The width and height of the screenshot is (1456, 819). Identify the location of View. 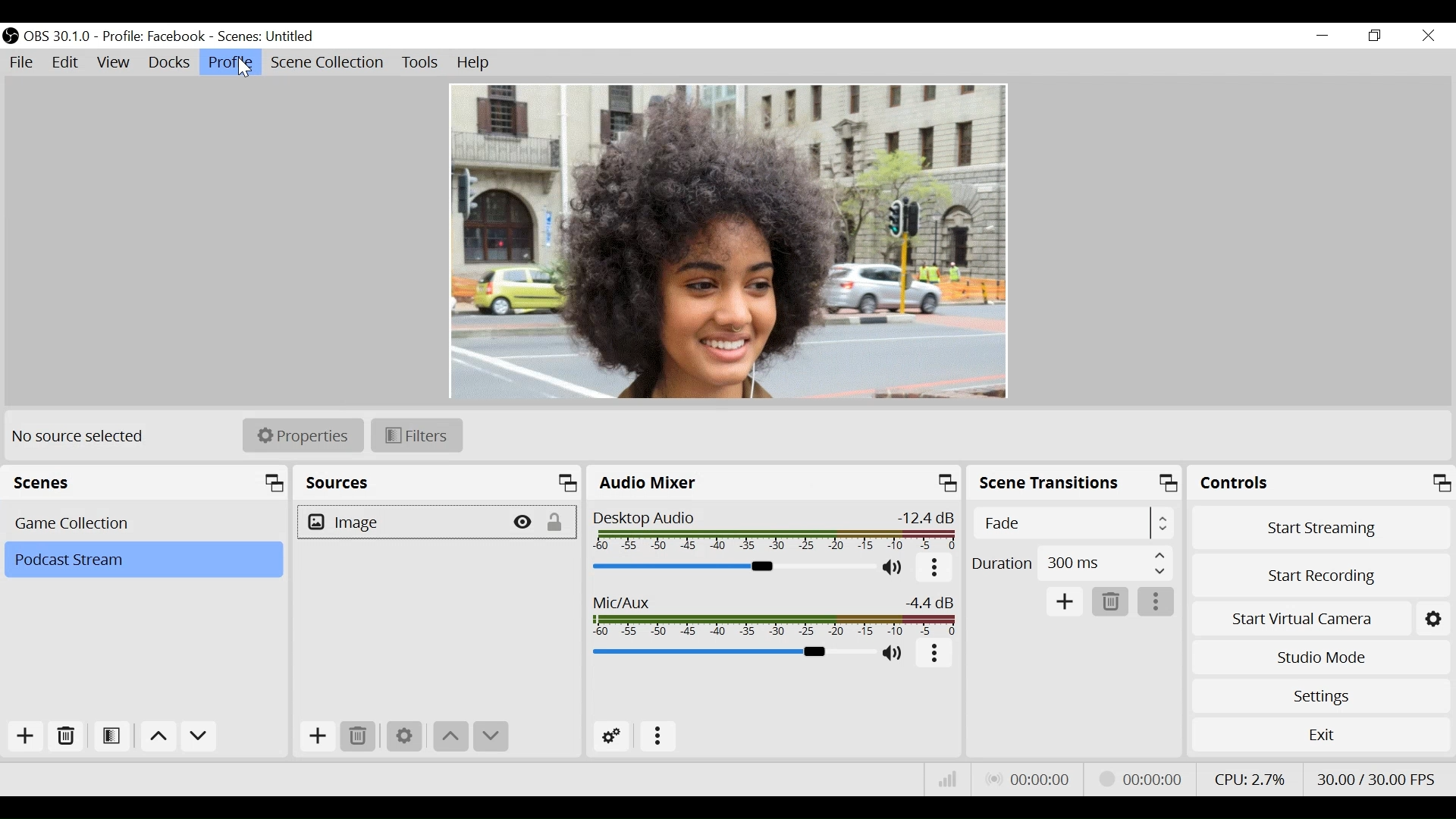
(117, 63).